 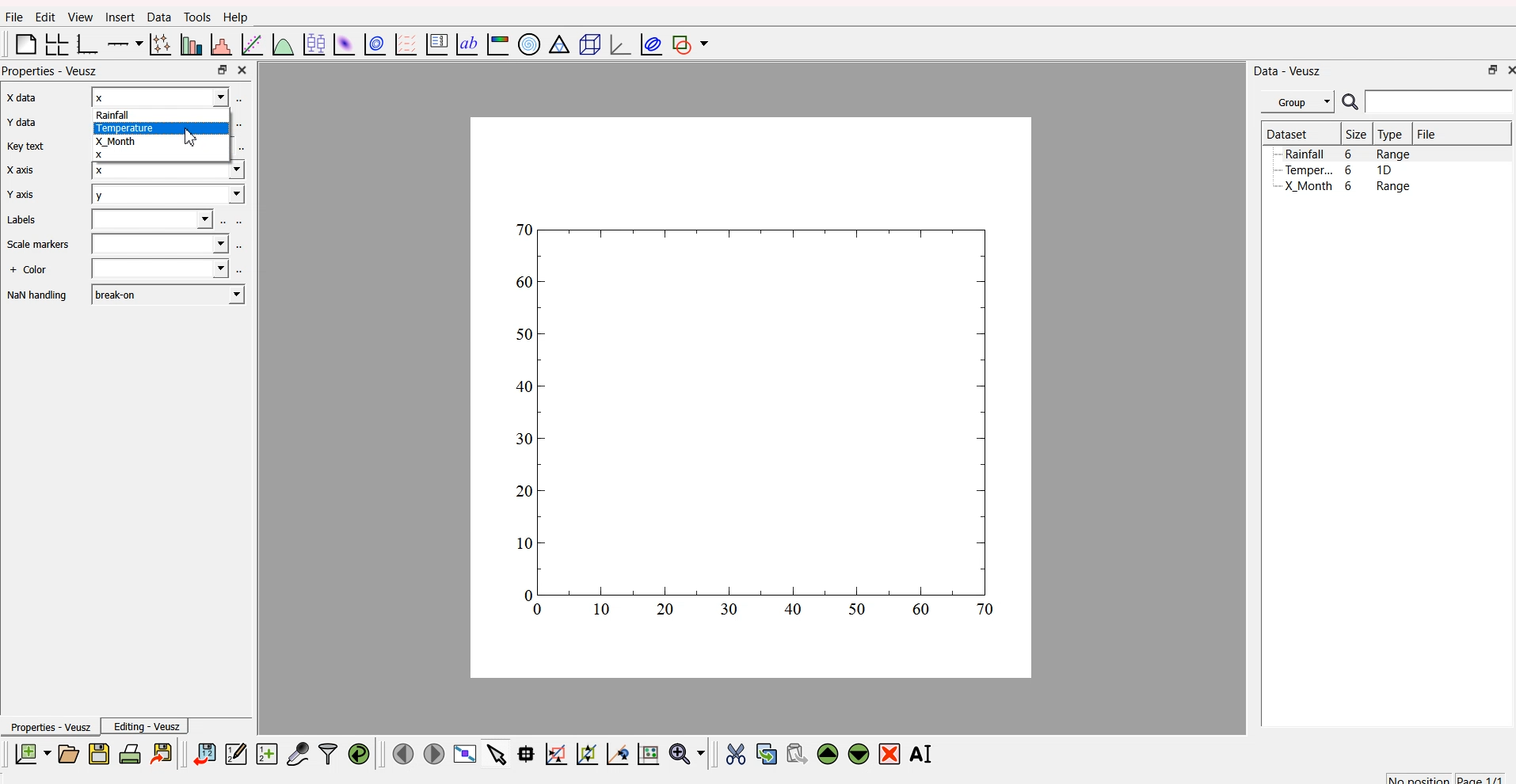 What do you see at coordinates (1508, 71) in the screenshot?
I see `close` at bounding box center [1508, 71].